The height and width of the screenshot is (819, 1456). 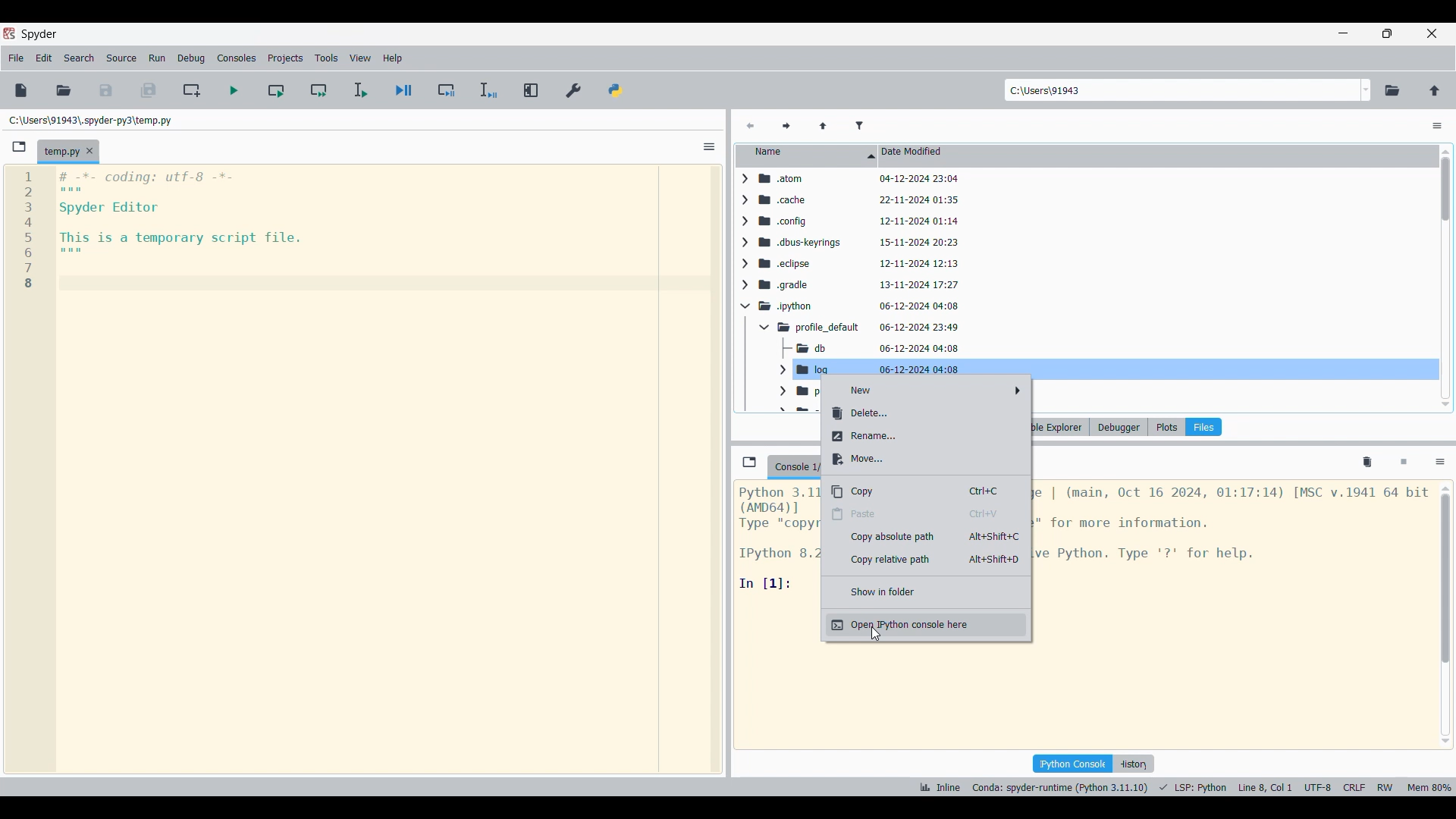 I want to click on Run current cell, so click(x=276, y=89).